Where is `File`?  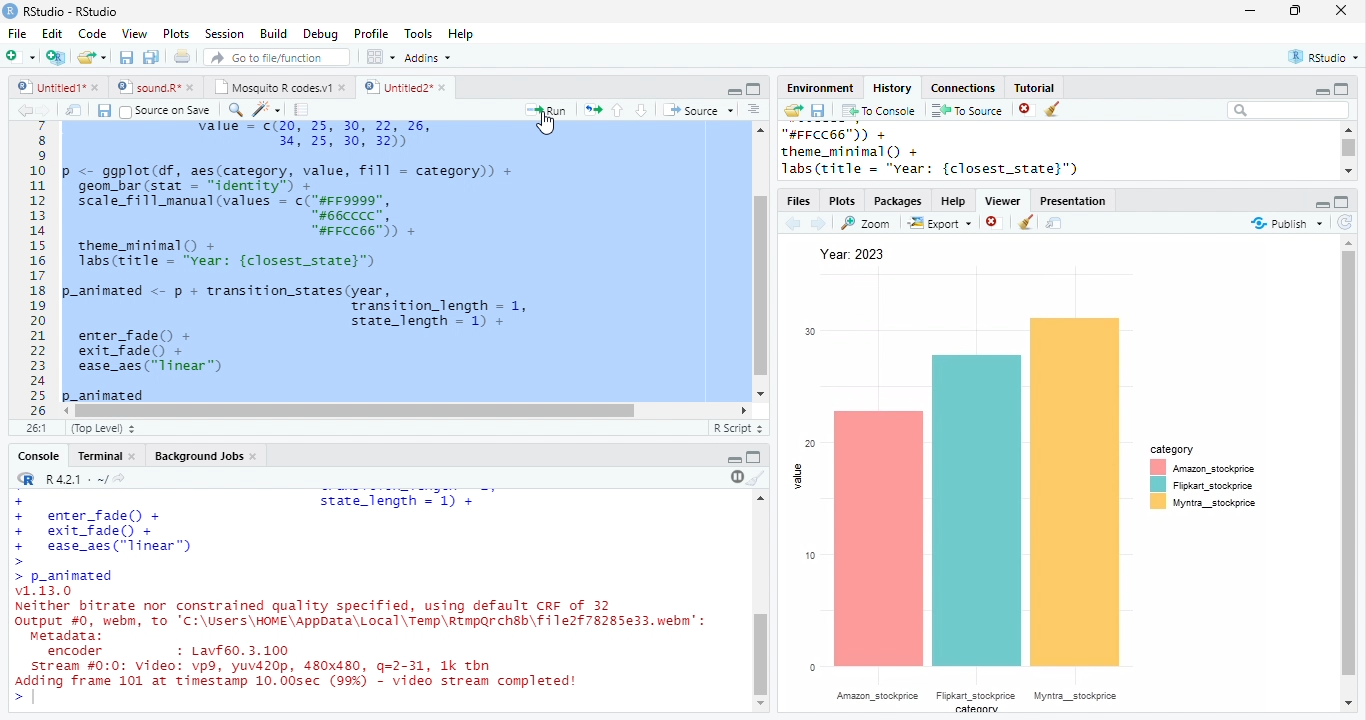
File is located at coordinates (19, 34).